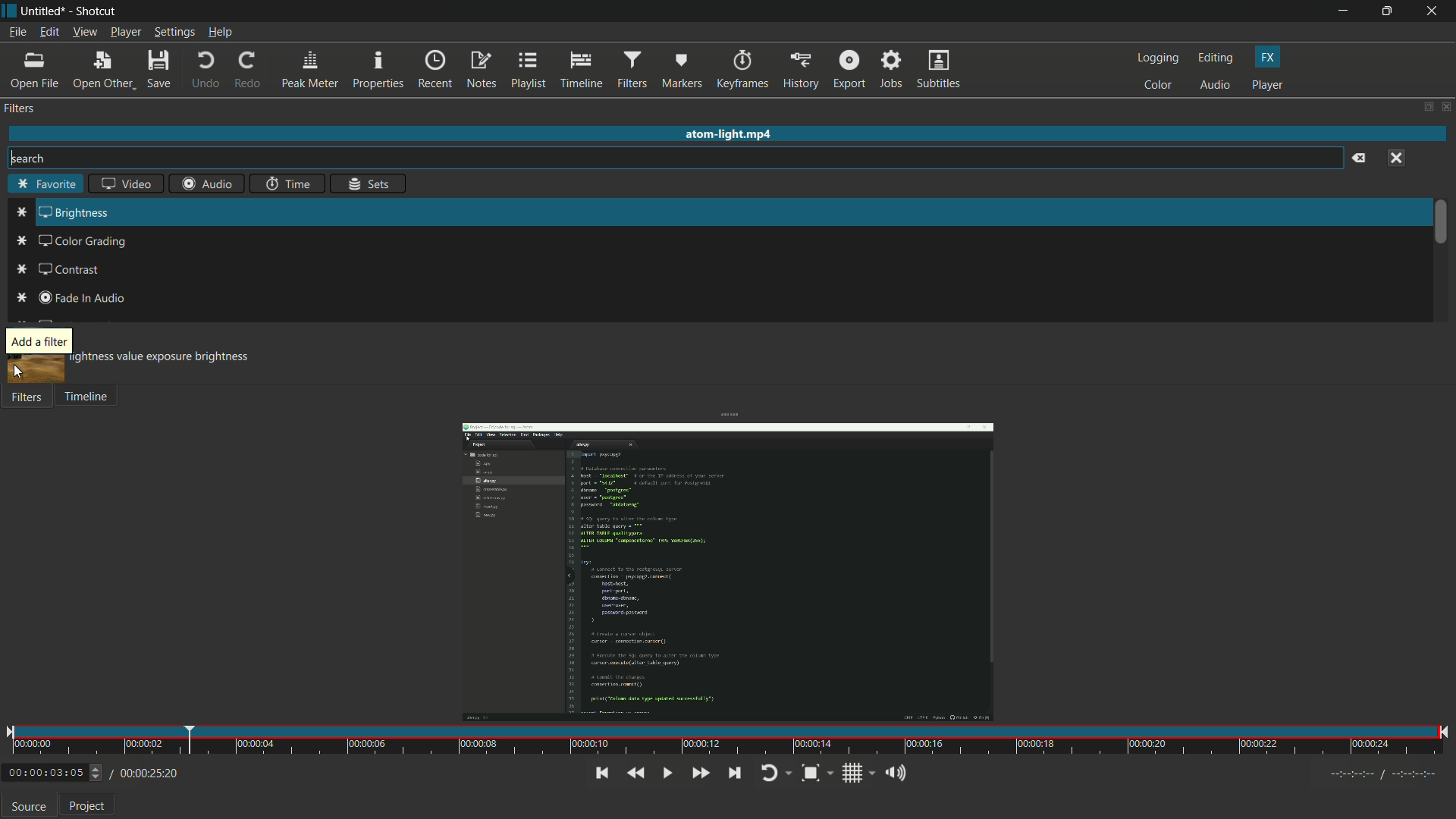 The height and width of the screenshot is (819, 1456). I want to click on markers, so click(682, 70).